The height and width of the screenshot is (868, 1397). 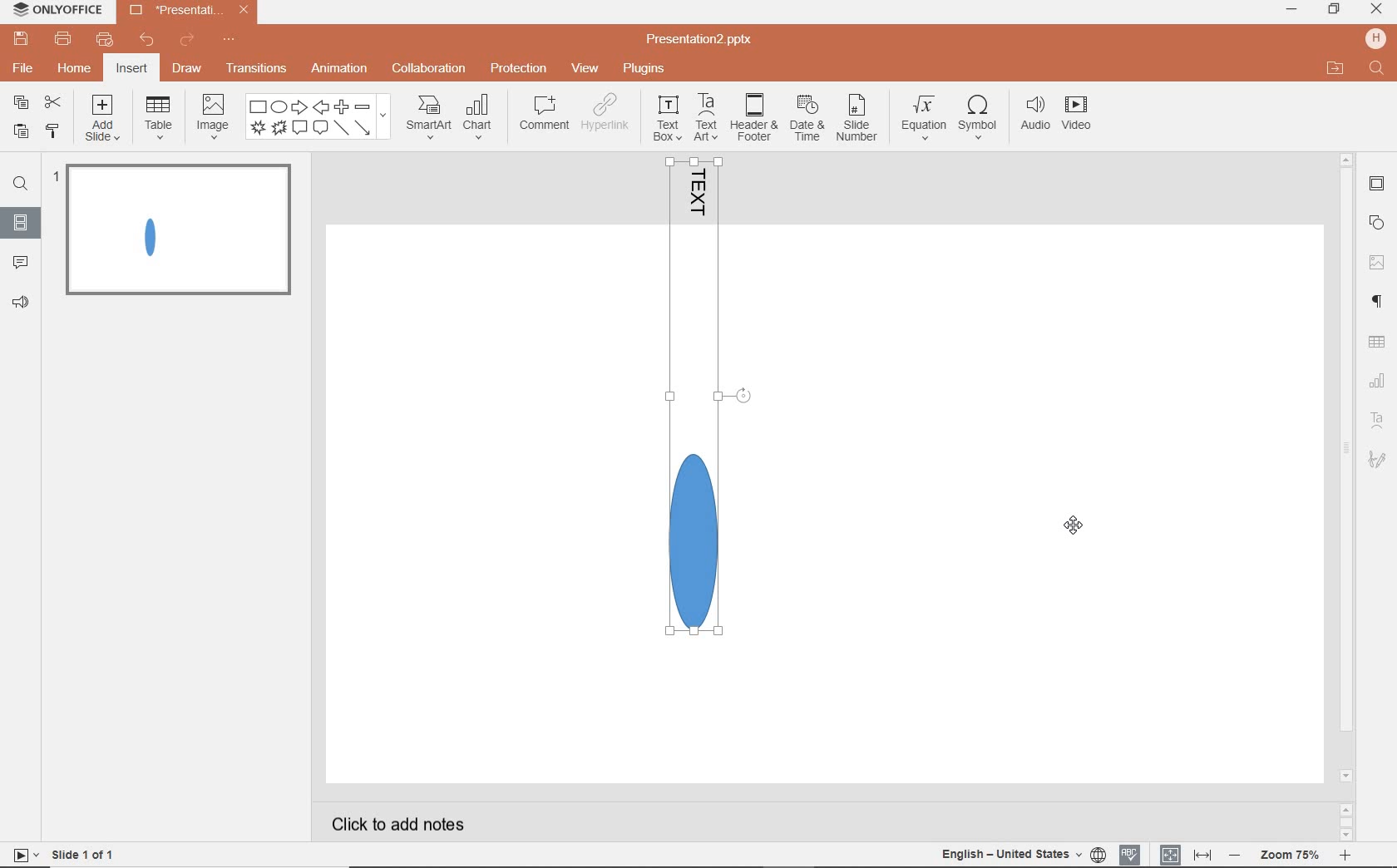 What do you see at coordinates (257, 67) in the screenshot?
I see `transitions` at bounding box center [257, 67].